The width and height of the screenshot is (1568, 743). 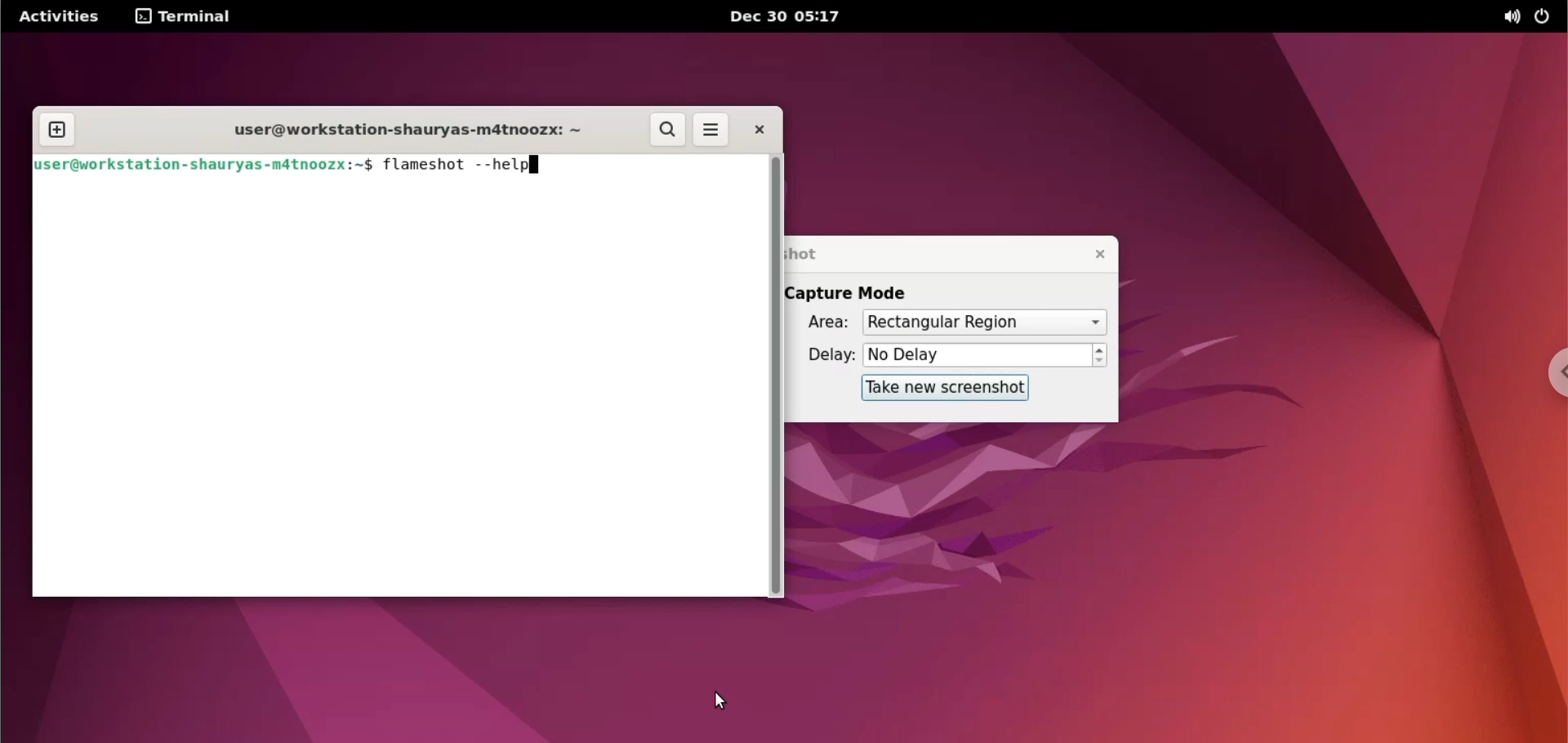 What do you see at coordinates (792, 16) in the screenshot?
I see `Dec 30 05:16` at bounding box center [792, 16].